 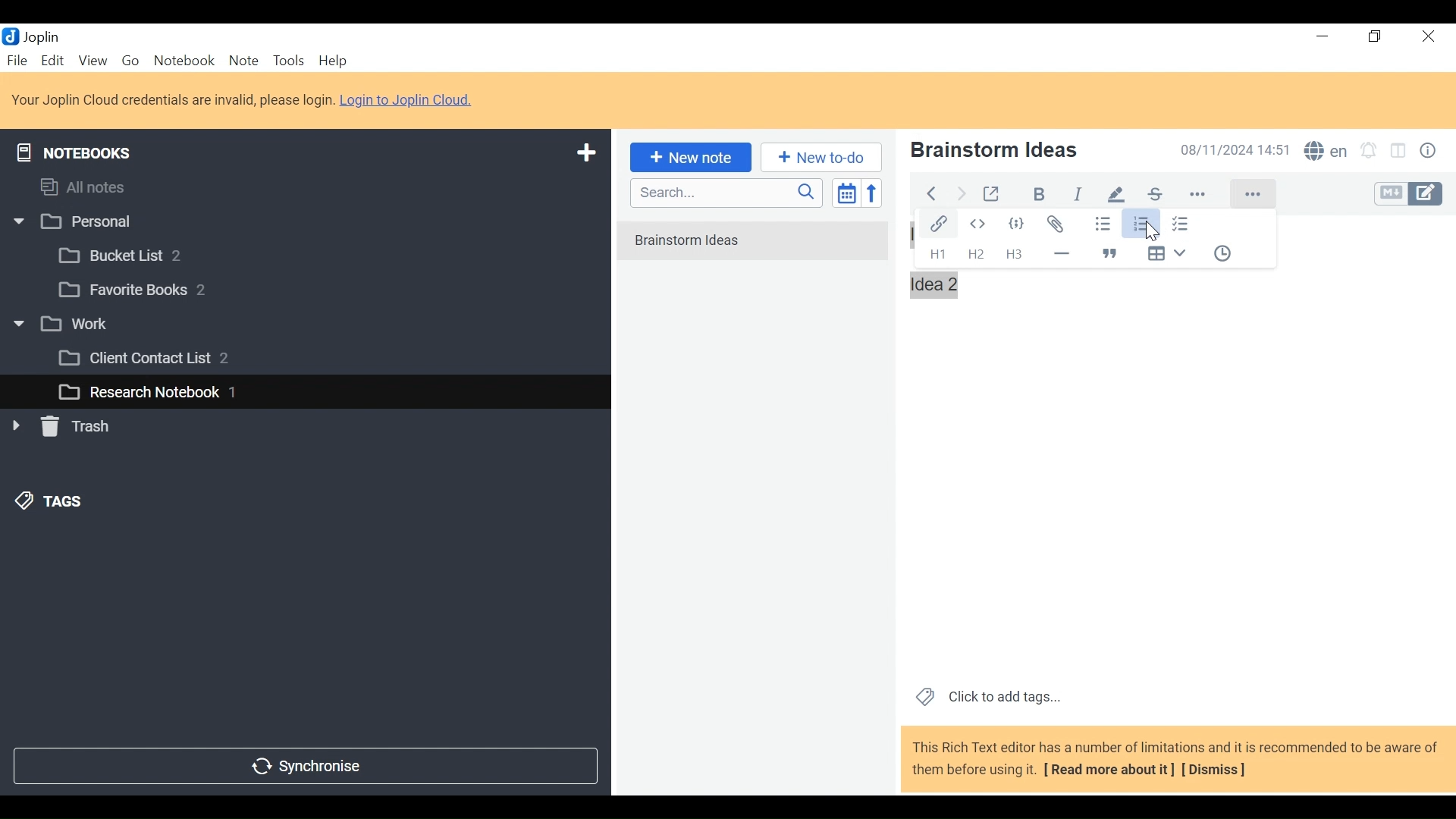 What do you see at coordinates (939, 254) in the screenshot?
I see `Headings` at bounding box center [939, 254].